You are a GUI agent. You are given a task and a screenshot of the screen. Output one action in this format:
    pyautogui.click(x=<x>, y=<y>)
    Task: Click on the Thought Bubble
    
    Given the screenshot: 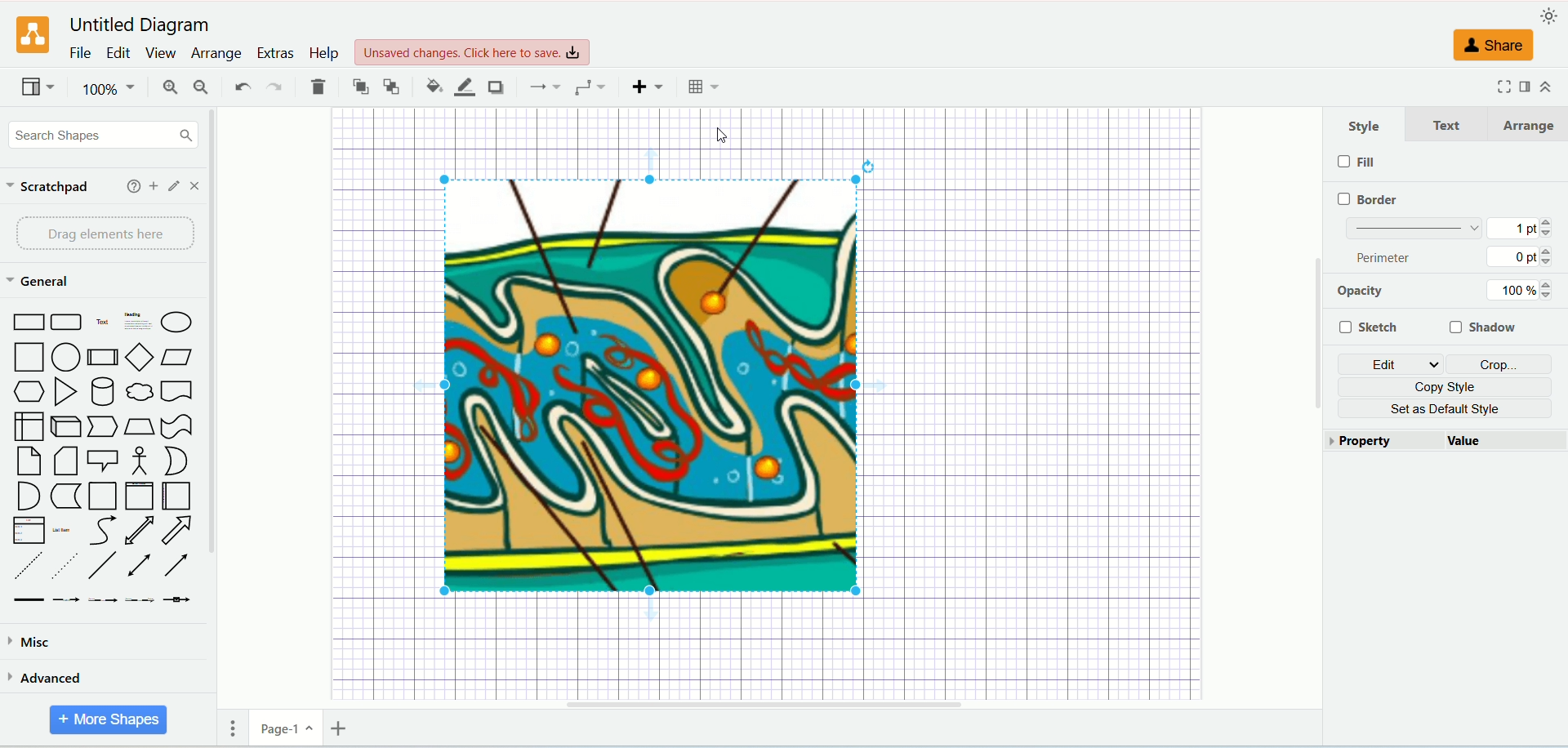 What is the action you would take?
    pyautogui.click(x=139, y=393)
    